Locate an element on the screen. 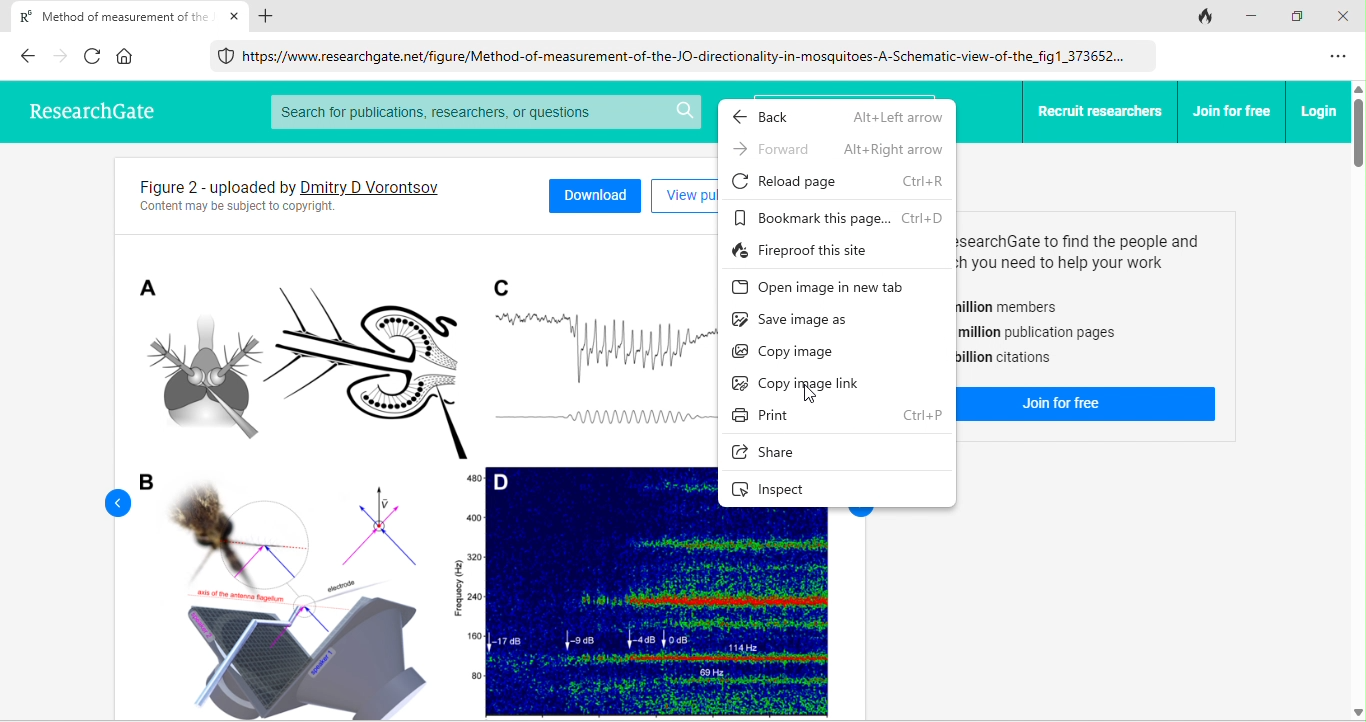 The image size is (1366, 722). minimize is located at coordinates (1255, 15).